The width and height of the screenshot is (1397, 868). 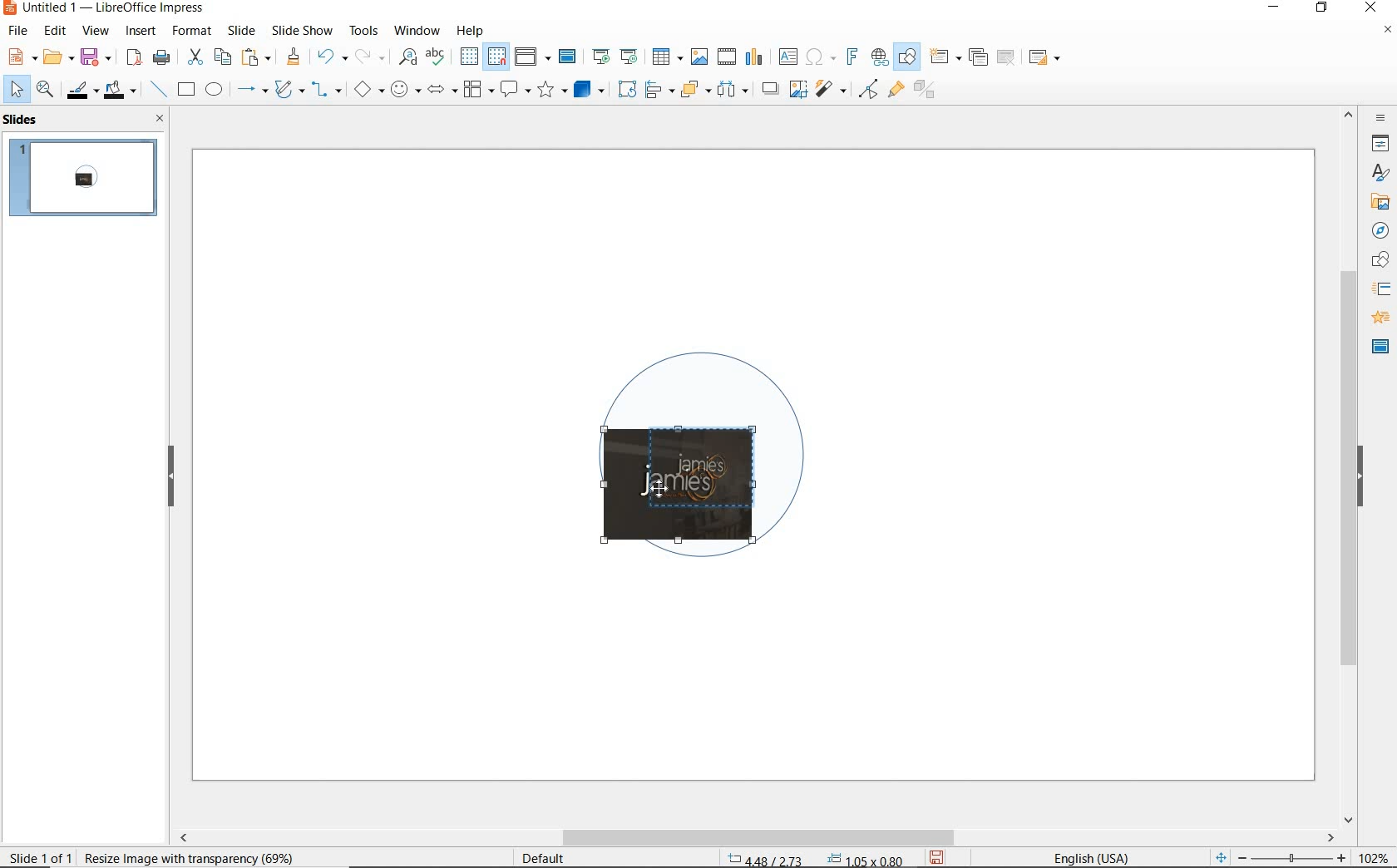 I want to click on slide layout, so click(x=1045, y=58).